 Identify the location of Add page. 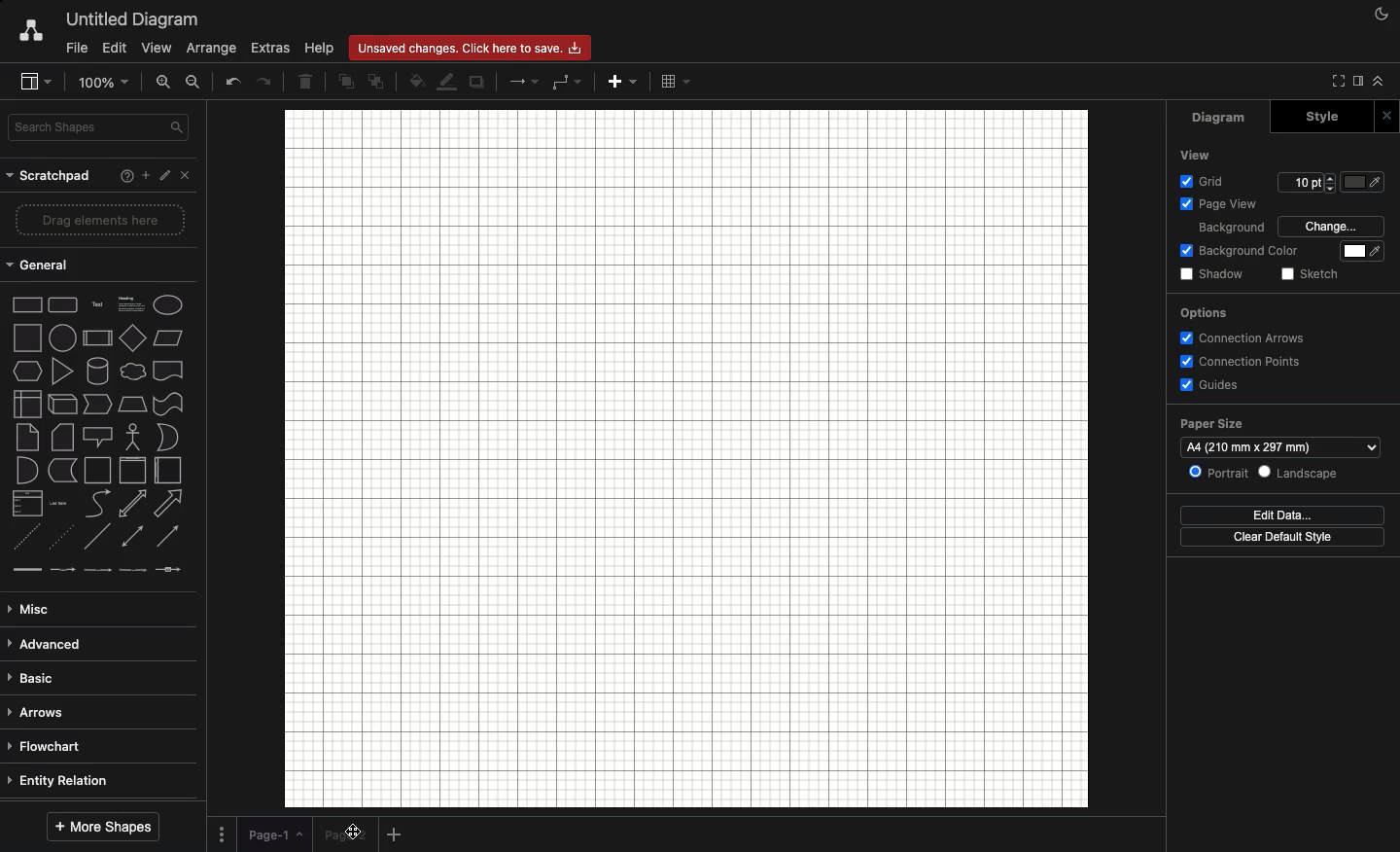
(397, 834).